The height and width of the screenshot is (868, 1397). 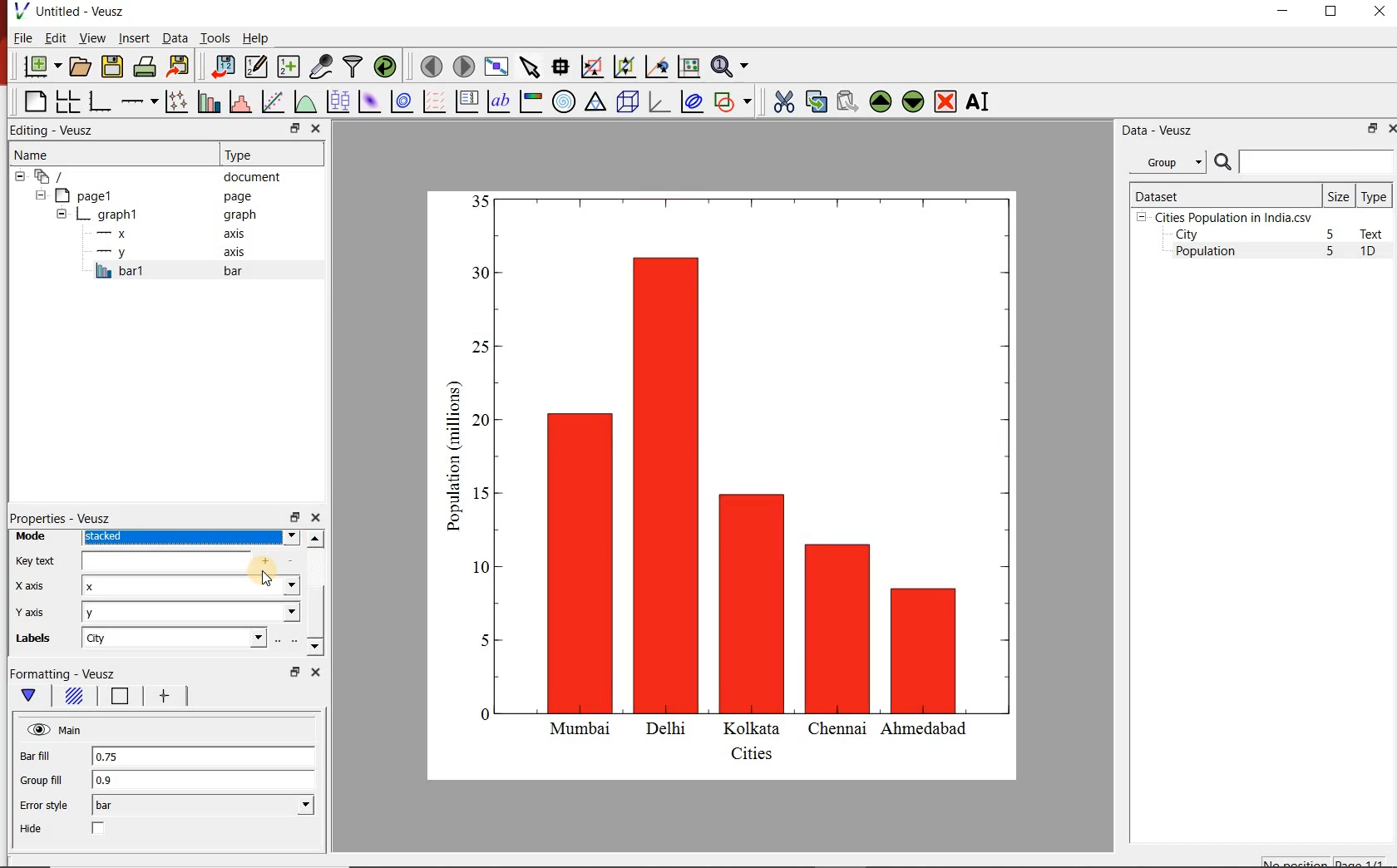 I want to click on select items from the graph or scroll, so click(x=529, y=66).